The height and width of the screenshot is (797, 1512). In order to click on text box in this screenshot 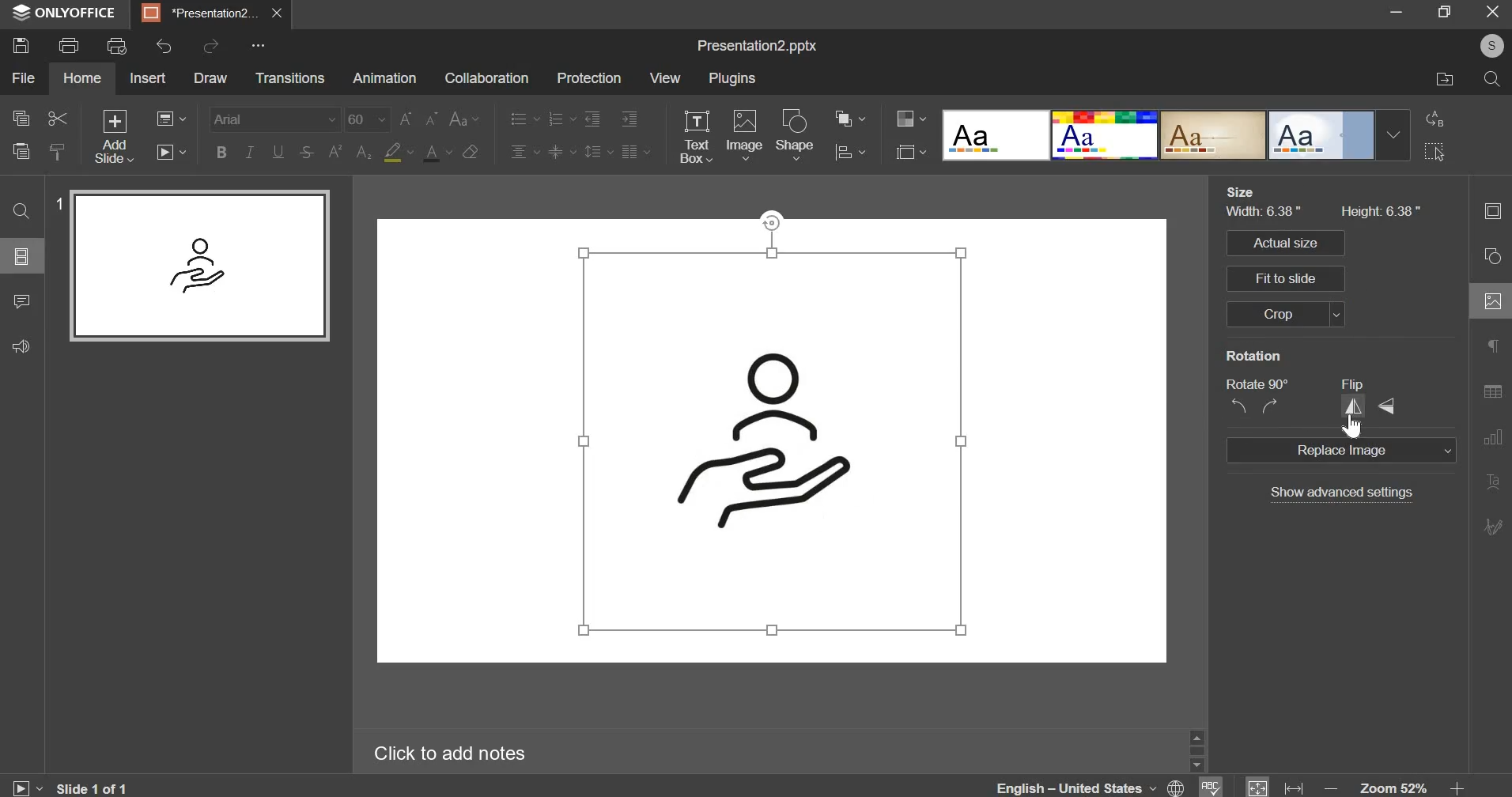, I will do `click(697, 137)`.